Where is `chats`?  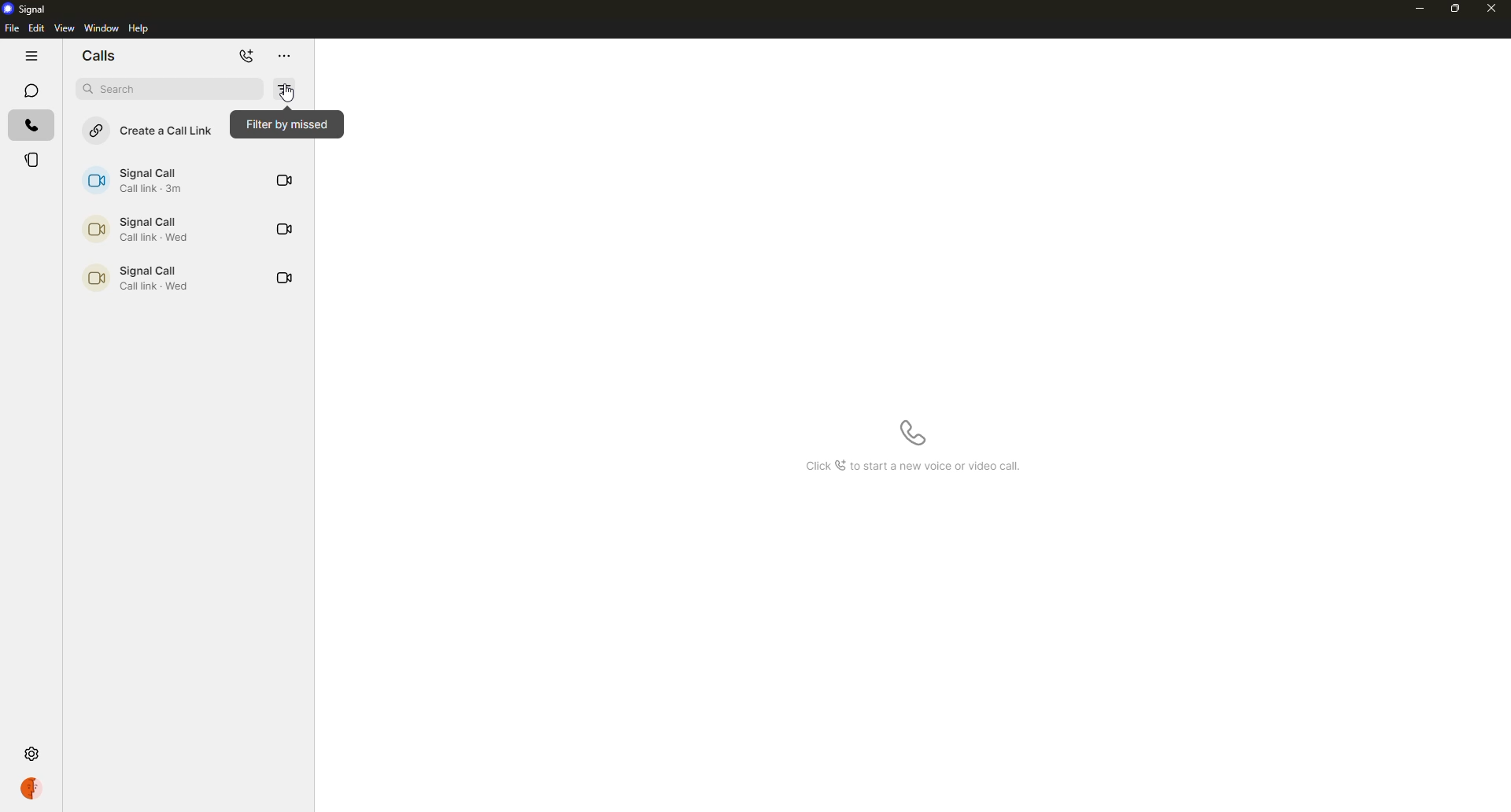 chats is located at coordinates (31, 90).